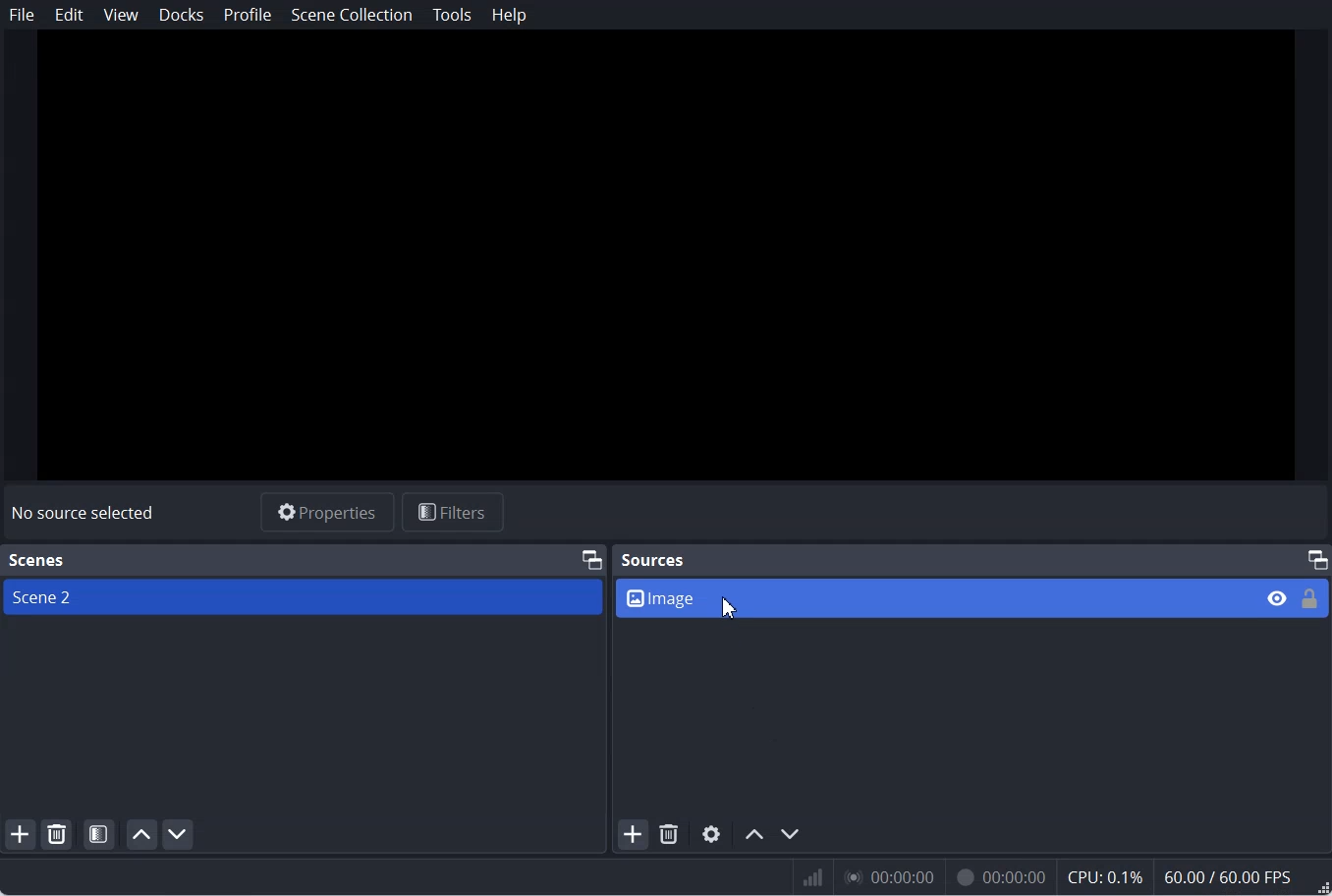 The height and width of the screenshot is (896, 1332). What do you see at coordinates (670, 833) in the screenshot?
I see `Remove selected Source` at bounding box center [670, 833].